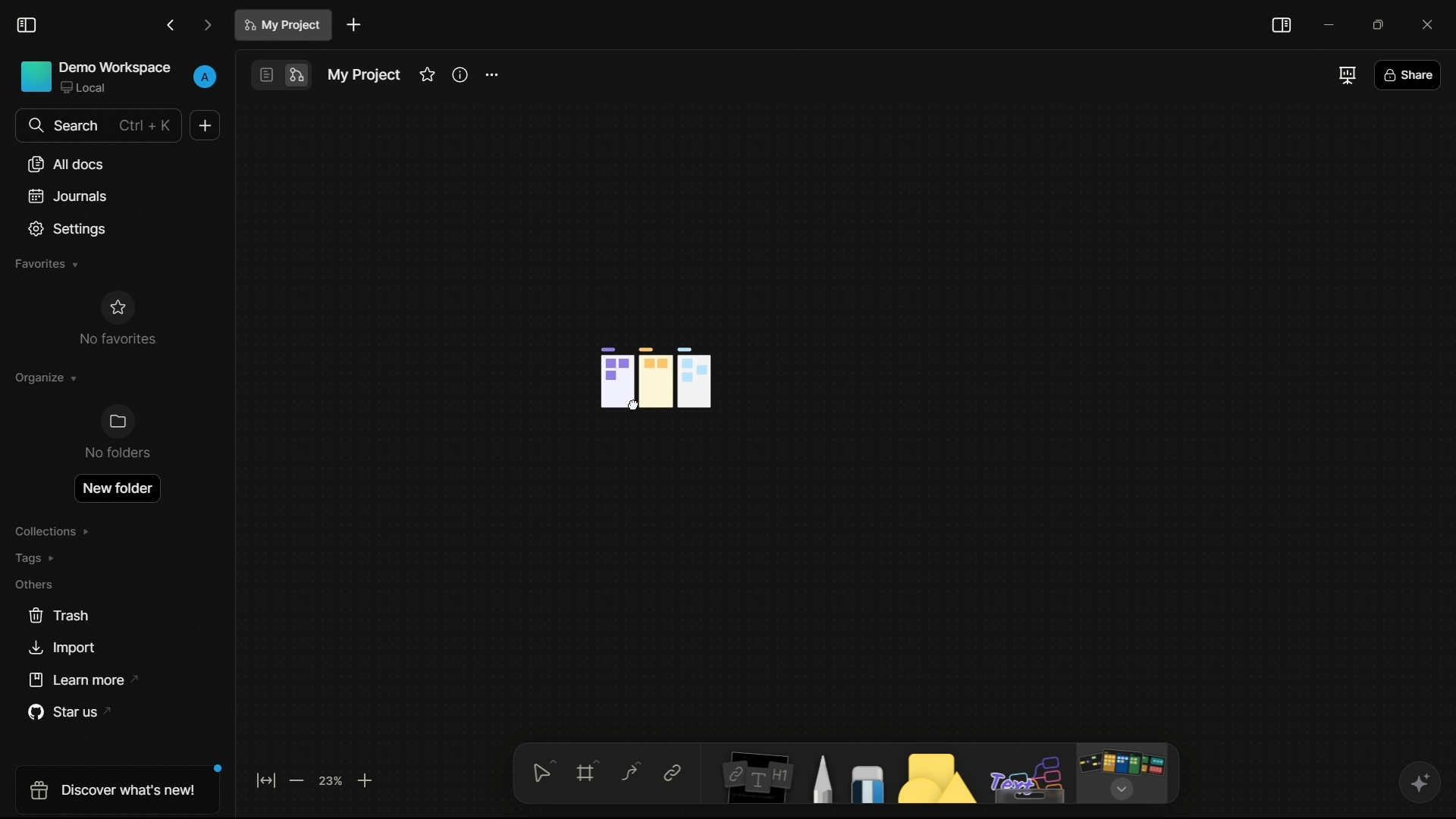  Describe the element at coordinates (68, 229) in the screenshot. I see `settings` at that location.